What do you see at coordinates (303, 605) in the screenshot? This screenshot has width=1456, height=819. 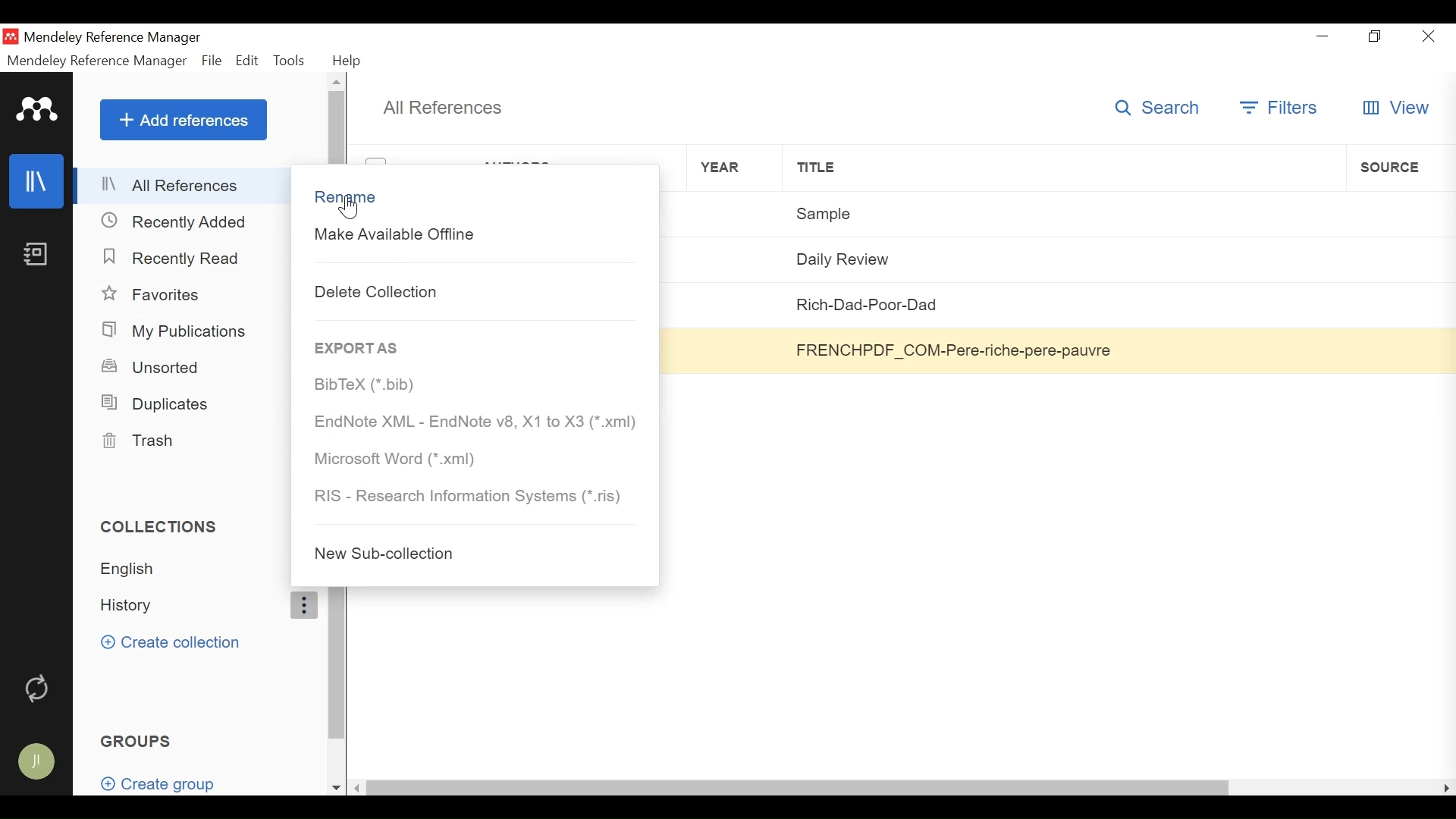 I see `More Options` at bounding box center [303, 605].